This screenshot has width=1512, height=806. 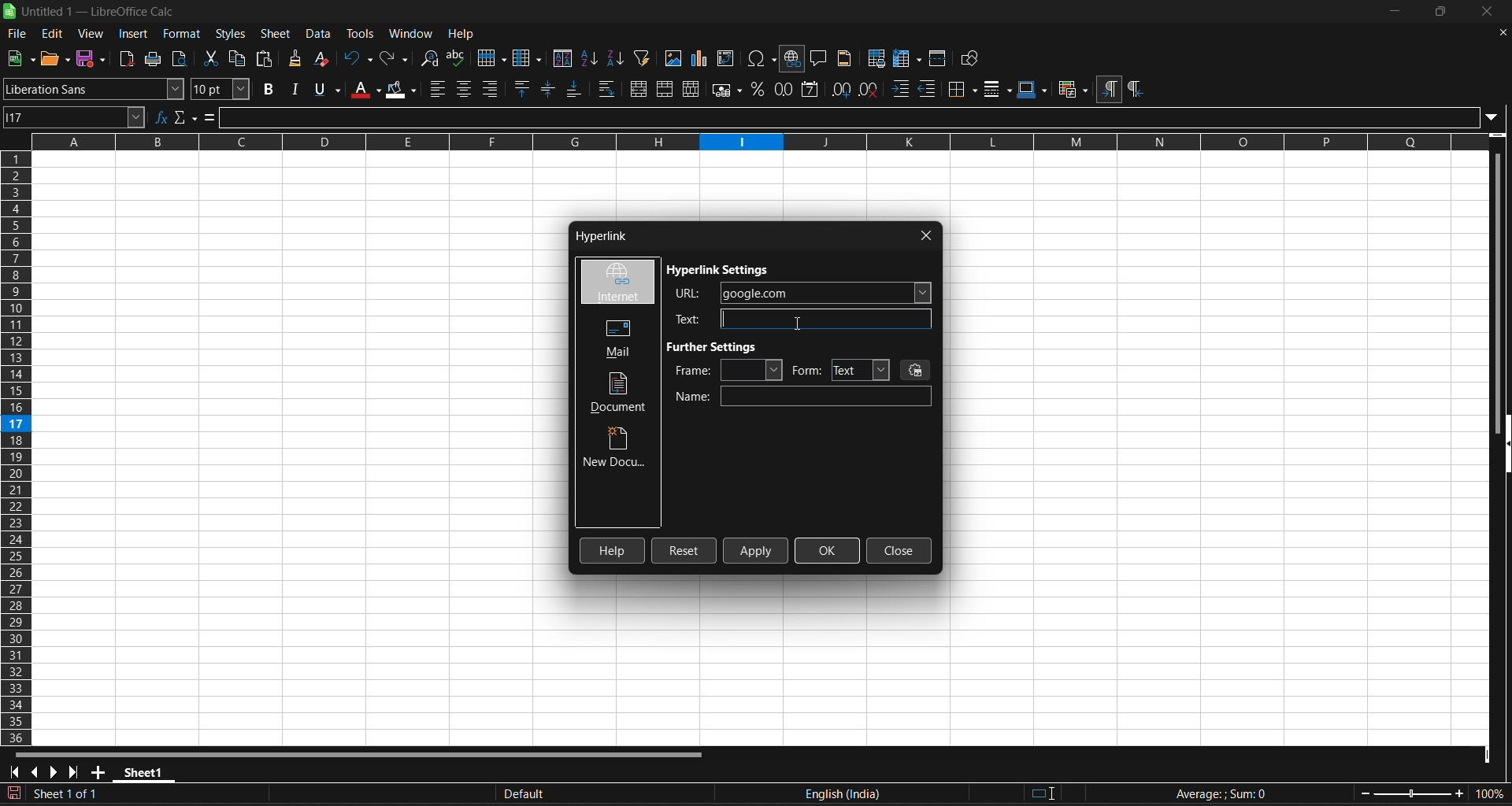 What do you see at coordinates (665, 89) in the screenshot?
I see `merge cells` at bounding box center [665, 89].